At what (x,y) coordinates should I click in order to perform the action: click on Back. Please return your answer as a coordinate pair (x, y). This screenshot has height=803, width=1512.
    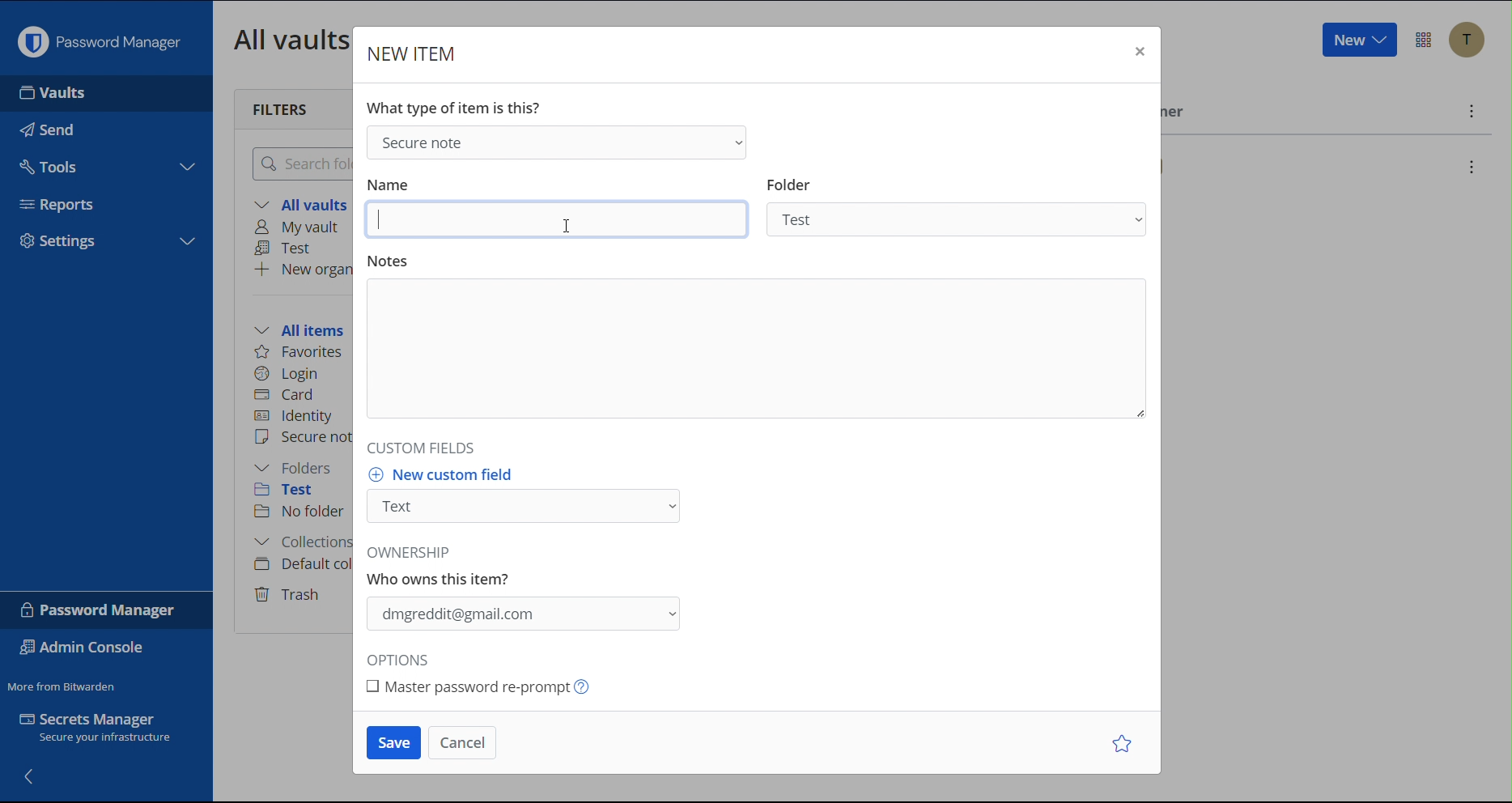
    Looking at the image, I should click on (31, 775).